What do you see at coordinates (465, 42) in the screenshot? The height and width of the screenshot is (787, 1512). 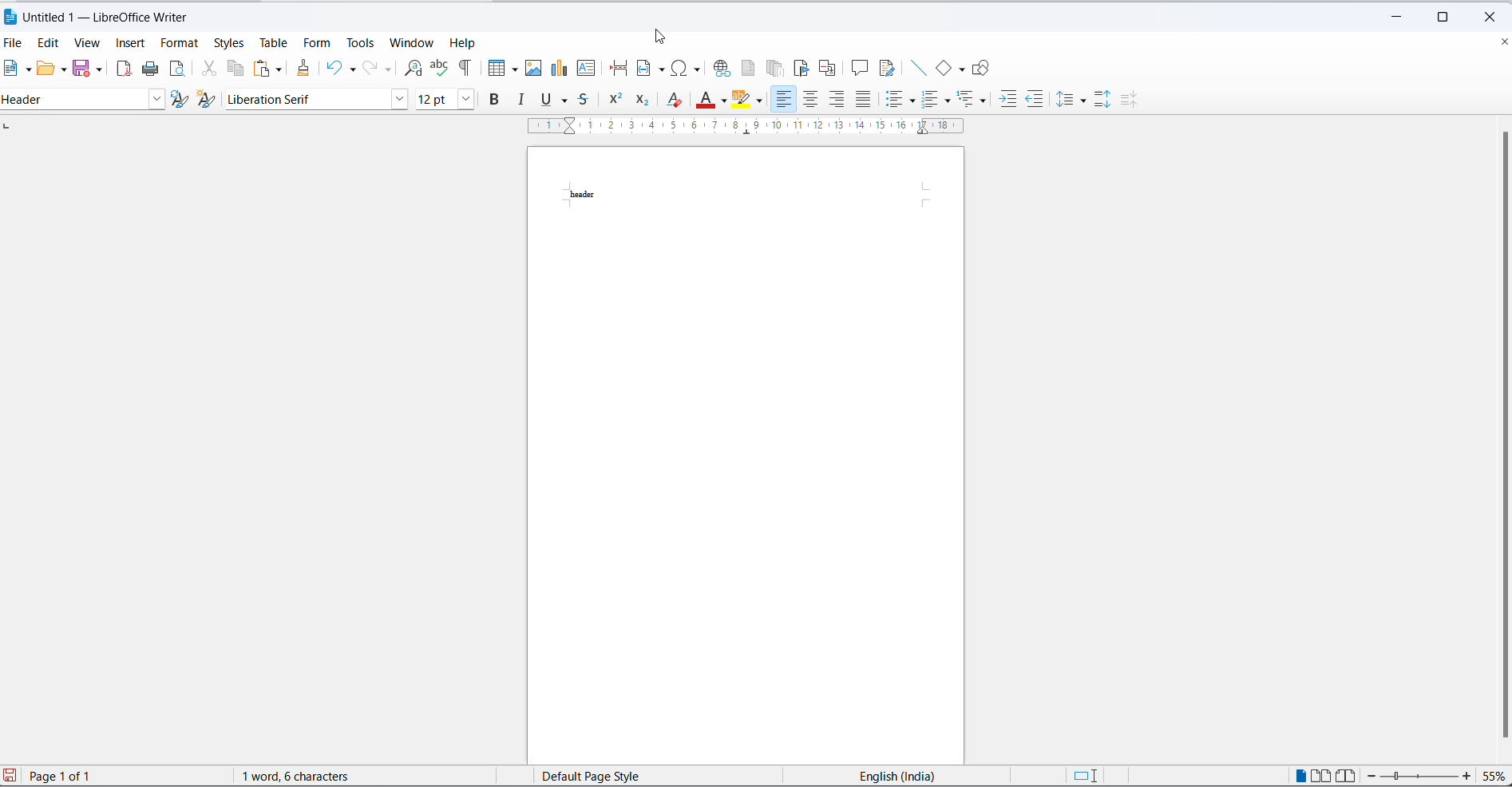 I see `help` at bounding box center [465, 42].